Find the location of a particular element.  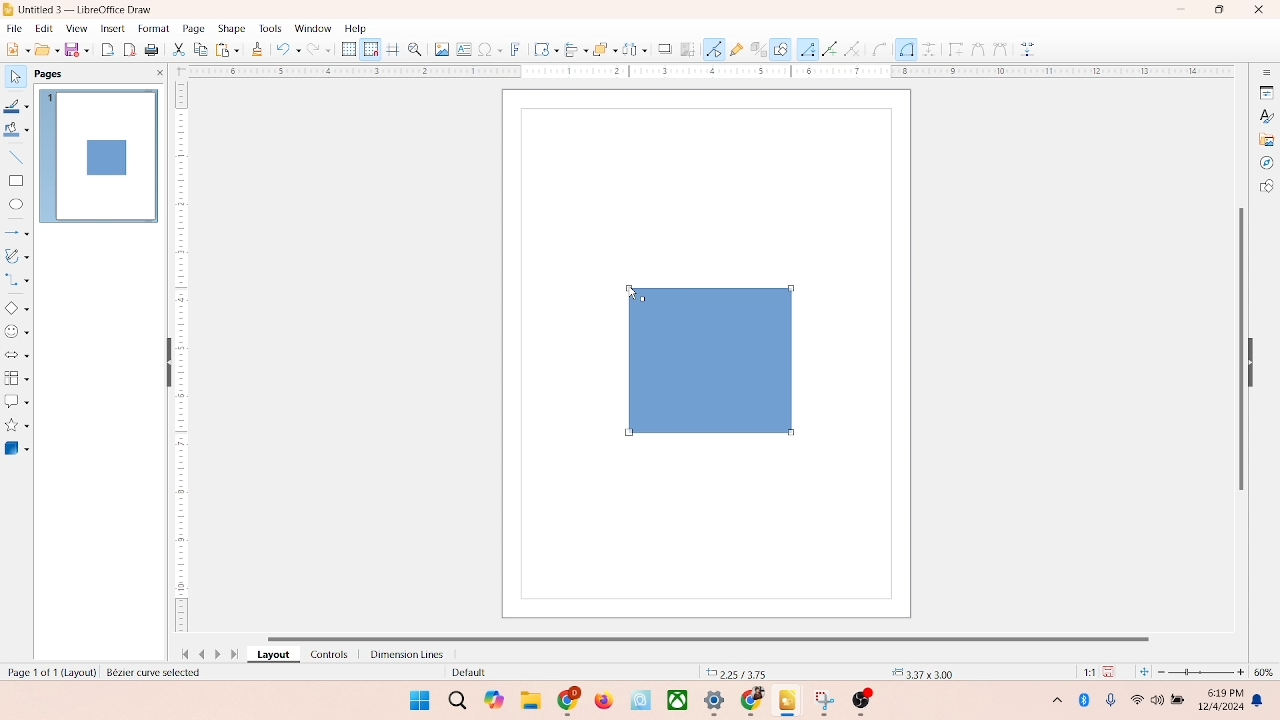

hide is located at coordinates (1256, 359).